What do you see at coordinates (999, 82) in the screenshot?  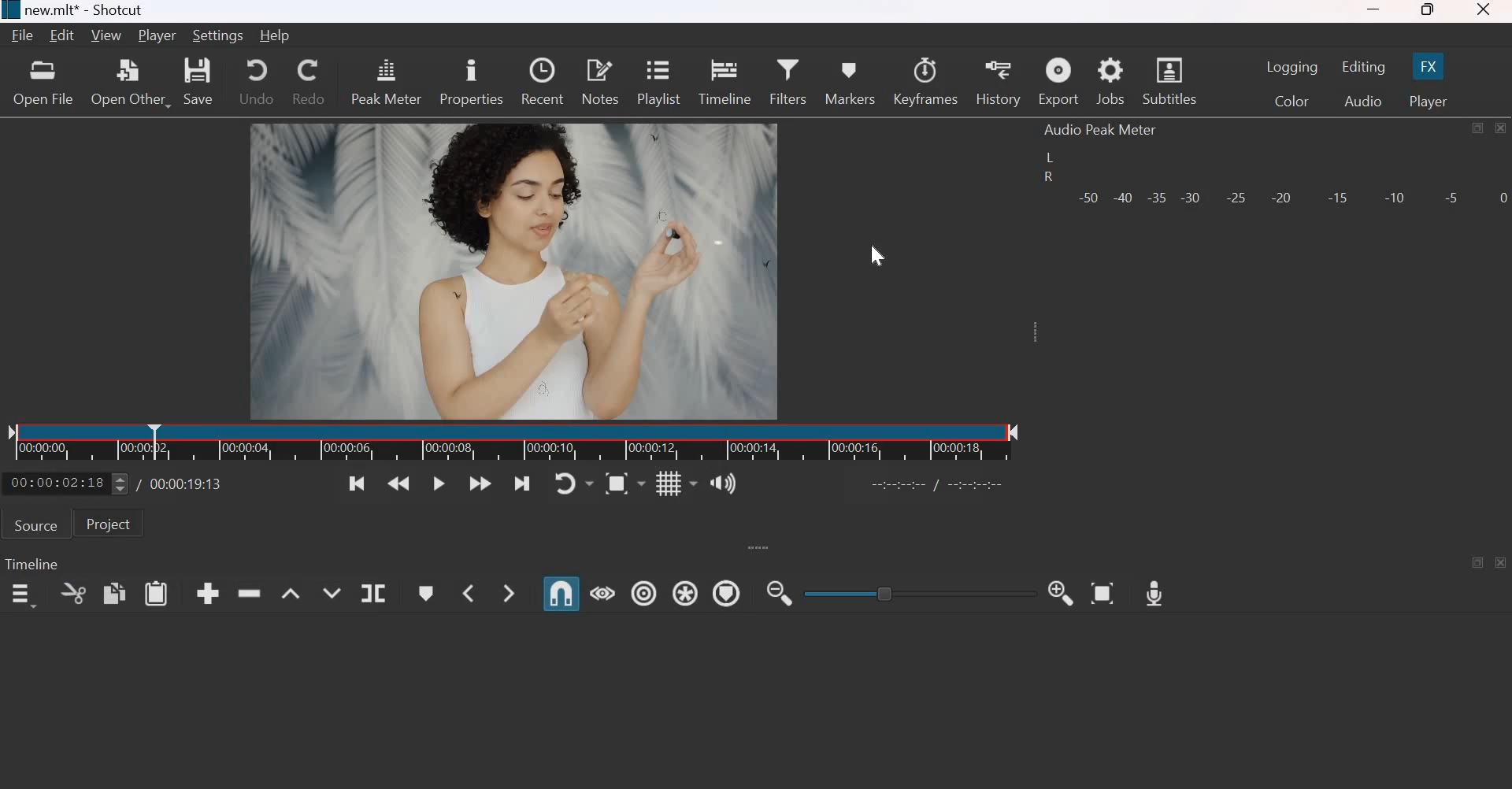 I see `History` at bounding box center [999, 82].